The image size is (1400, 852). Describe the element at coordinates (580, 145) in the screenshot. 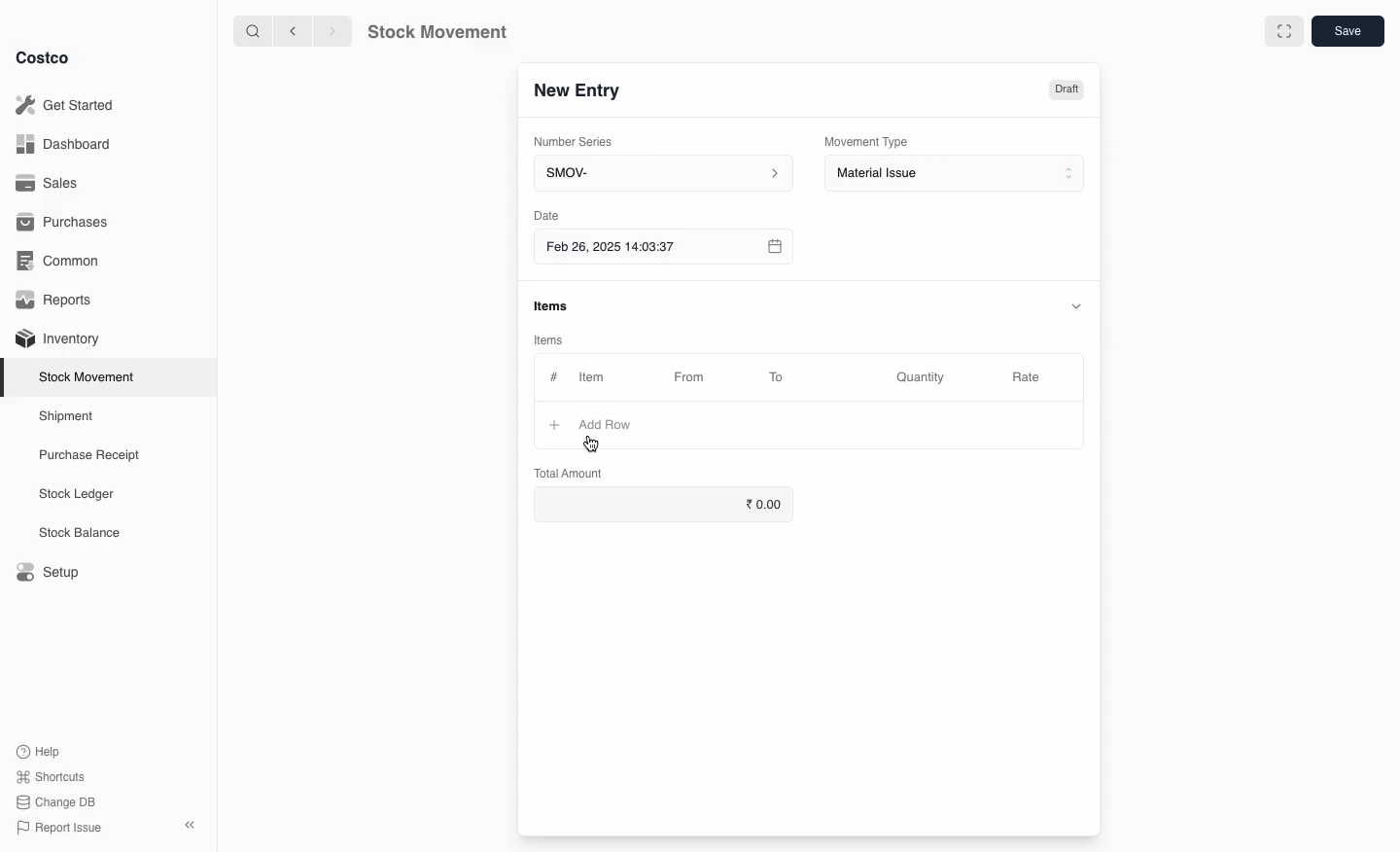

I see `Number Series` at that location.